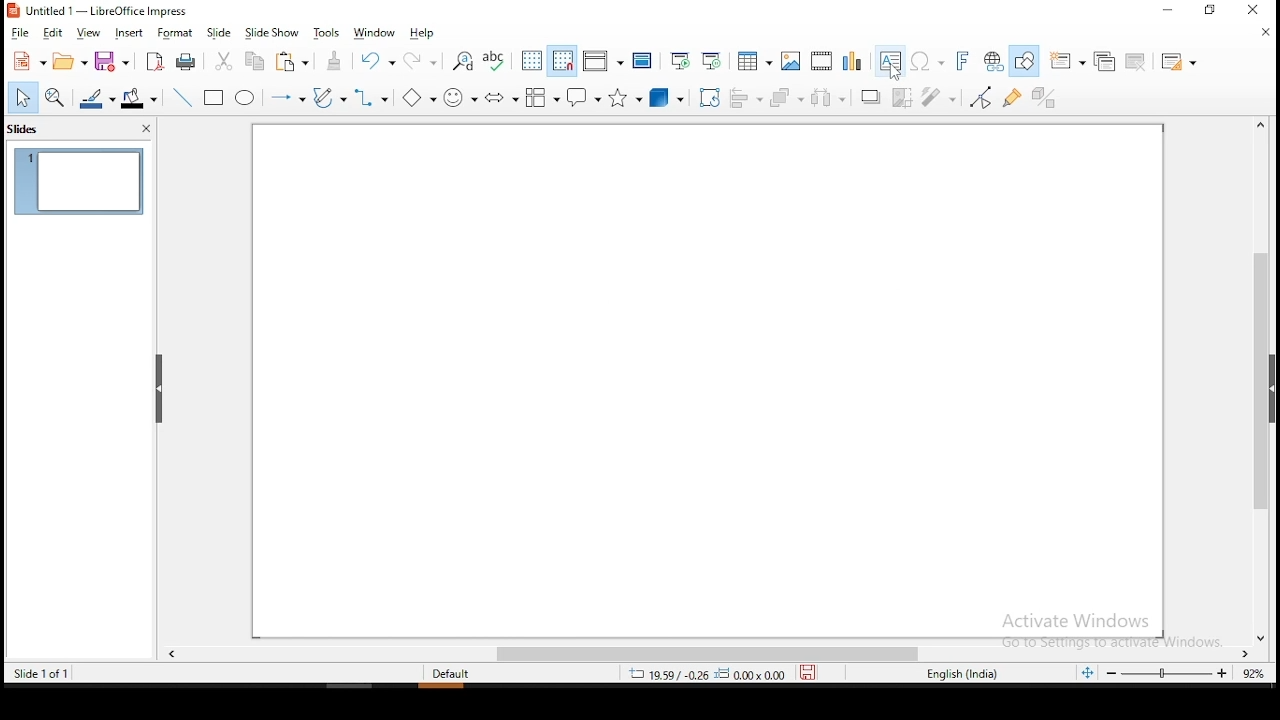 The image size is (1280, 720). What do you see at coordinates (51, 96) in the screenshot?
I see `zoom and pan` at bounding box center [51, 96].